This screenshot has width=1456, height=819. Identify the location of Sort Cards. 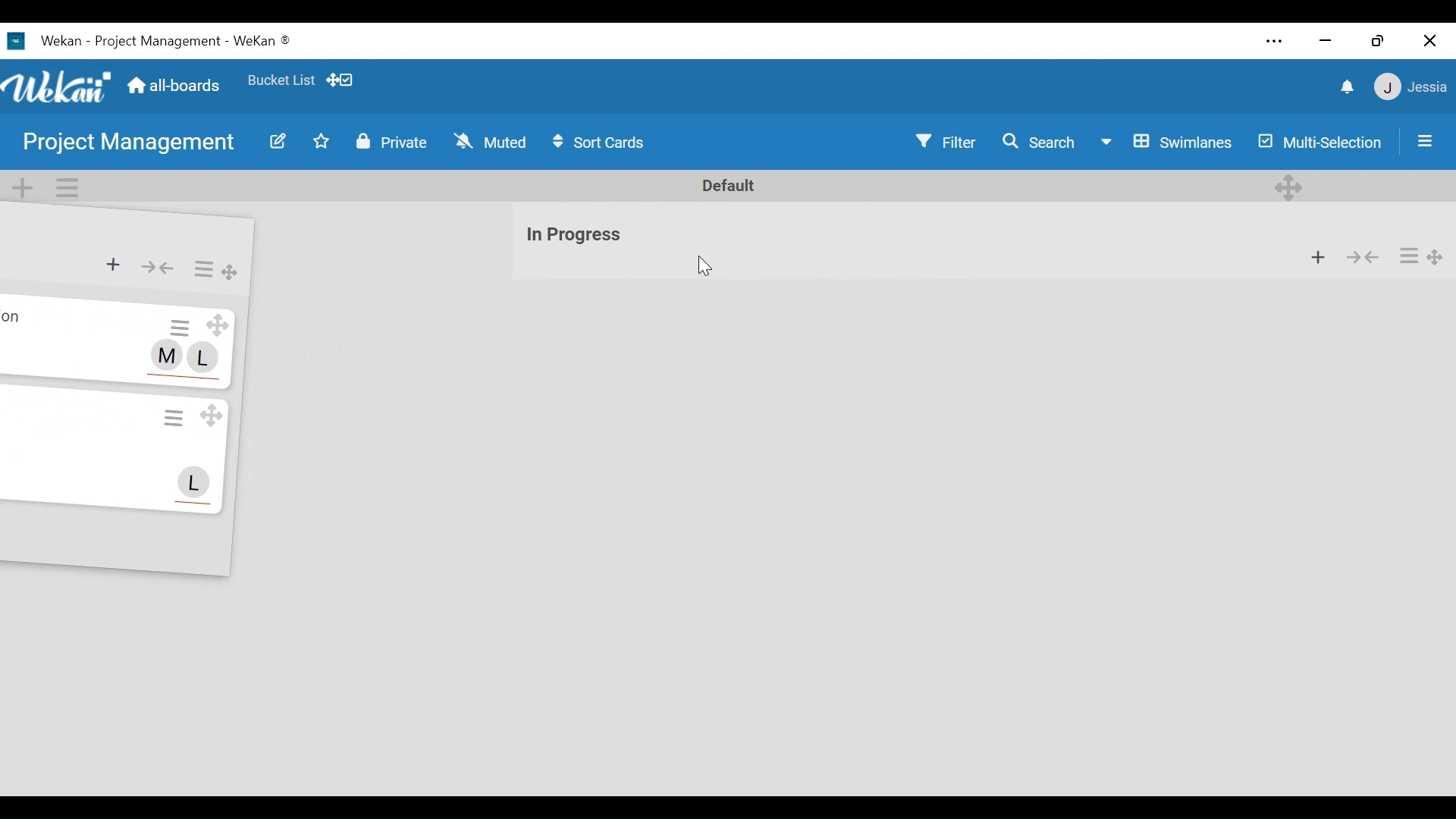
(598, 143).